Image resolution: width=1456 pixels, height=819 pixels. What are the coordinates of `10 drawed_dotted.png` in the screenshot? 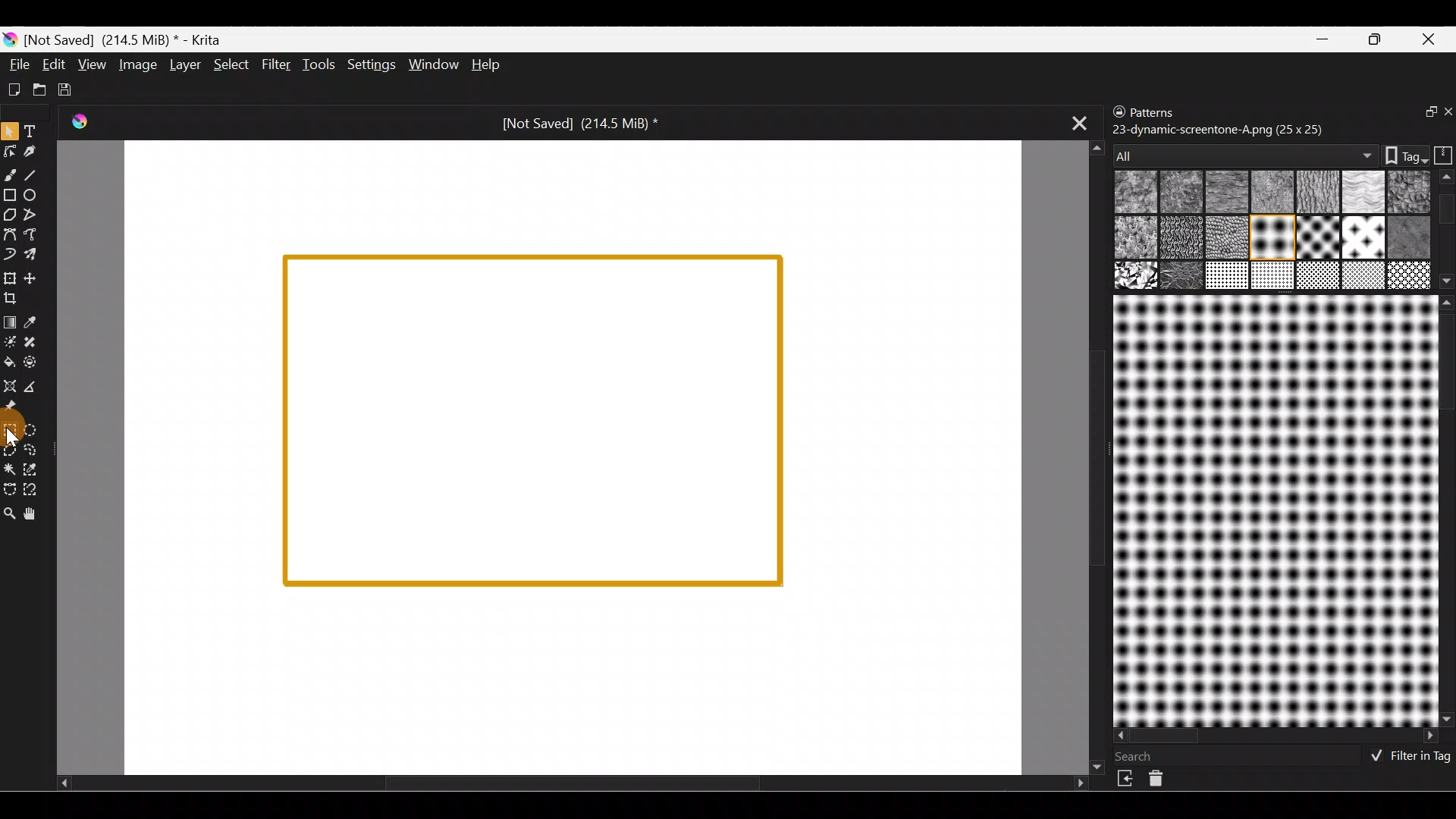 It's located at (1270, 240).